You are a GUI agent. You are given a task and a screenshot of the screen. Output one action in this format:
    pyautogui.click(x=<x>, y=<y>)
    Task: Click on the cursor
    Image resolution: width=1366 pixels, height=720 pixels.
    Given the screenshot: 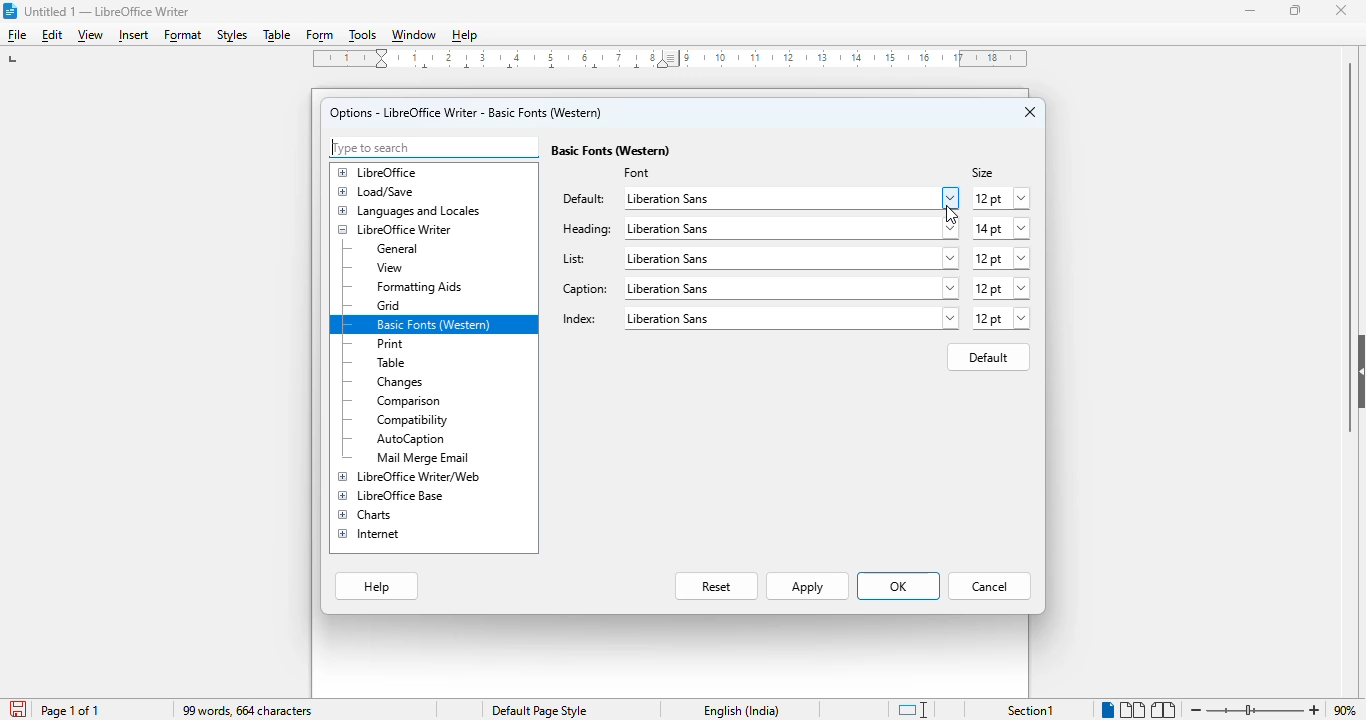 What is the action you would take?
    pyautogui.click(x=951, y=215)
    